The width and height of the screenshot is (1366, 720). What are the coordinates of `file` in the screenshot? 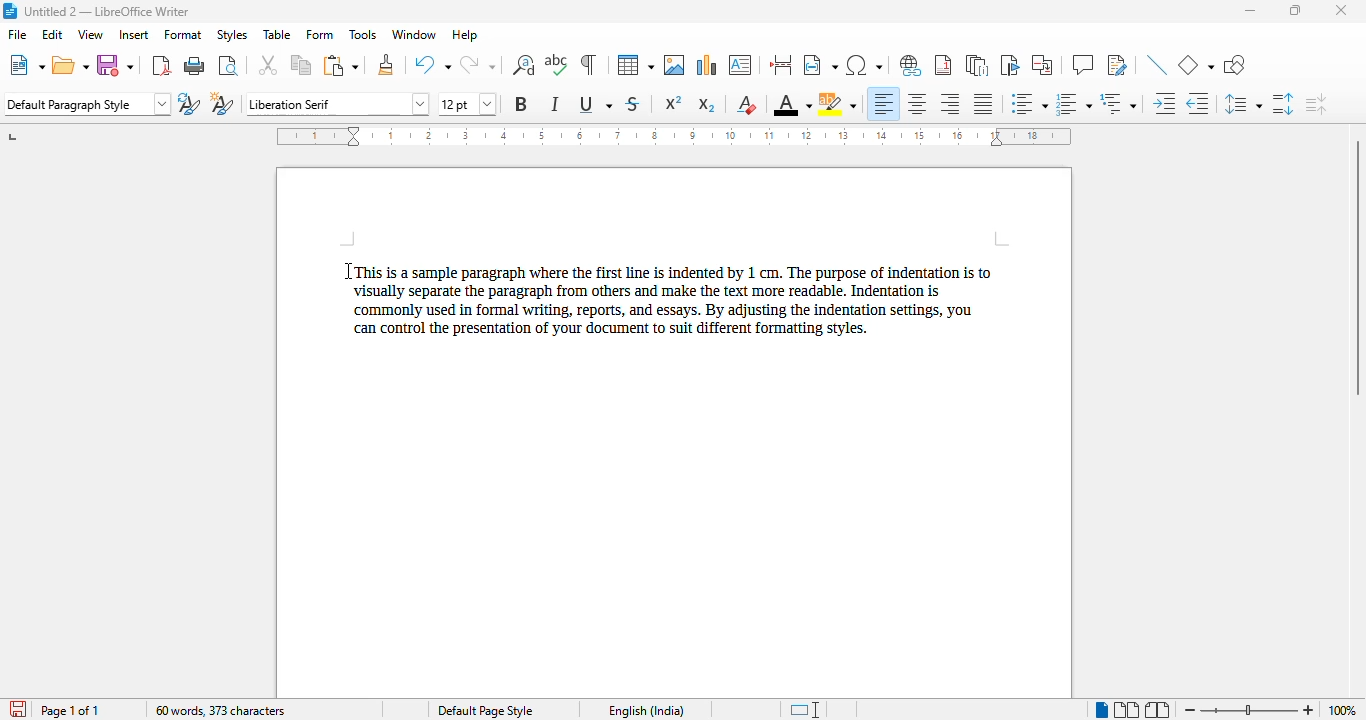 It's located at (16, 33).